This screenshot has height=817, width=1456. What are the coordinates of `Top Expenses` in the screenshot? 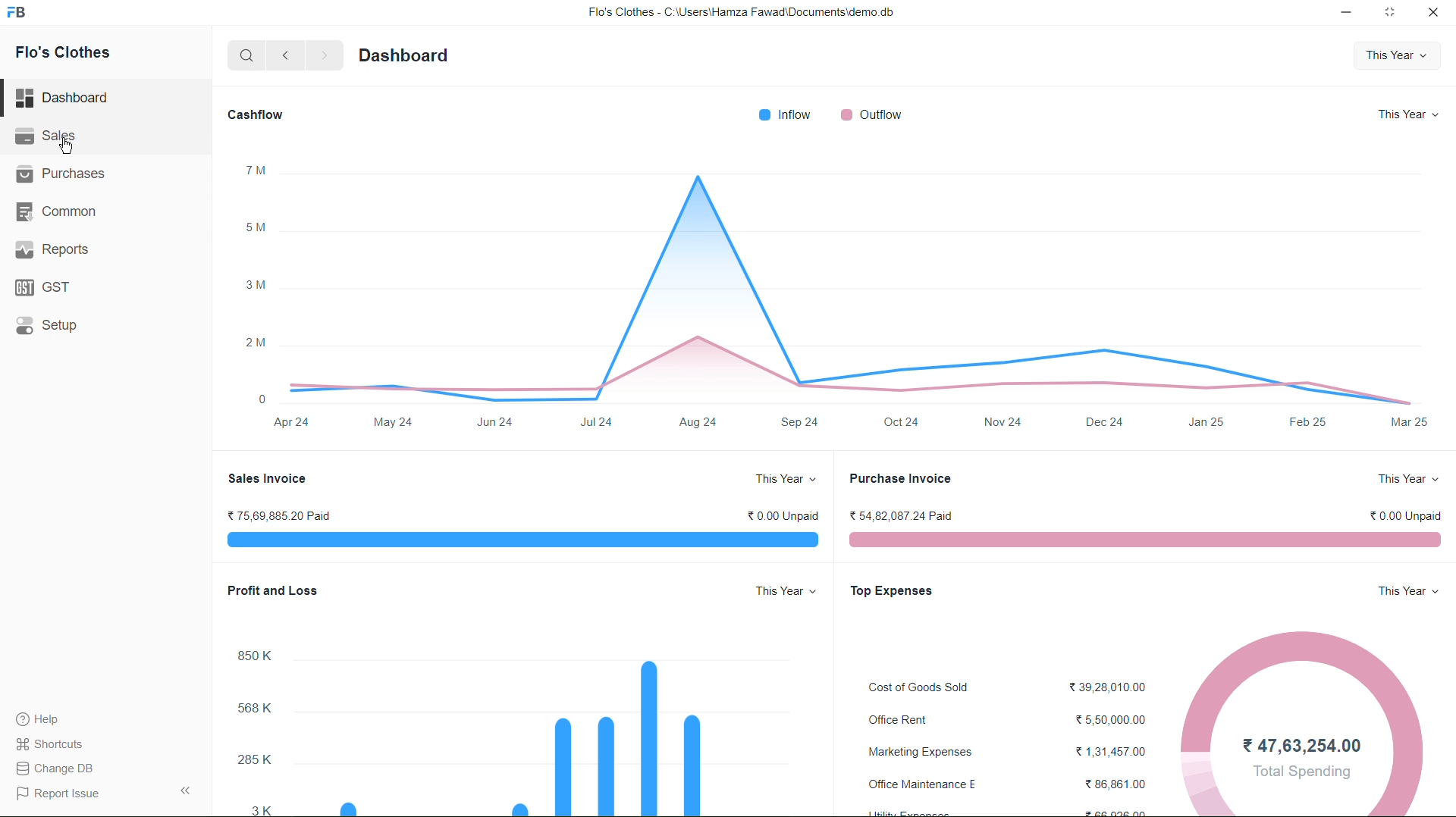 It's located at (893, 588).